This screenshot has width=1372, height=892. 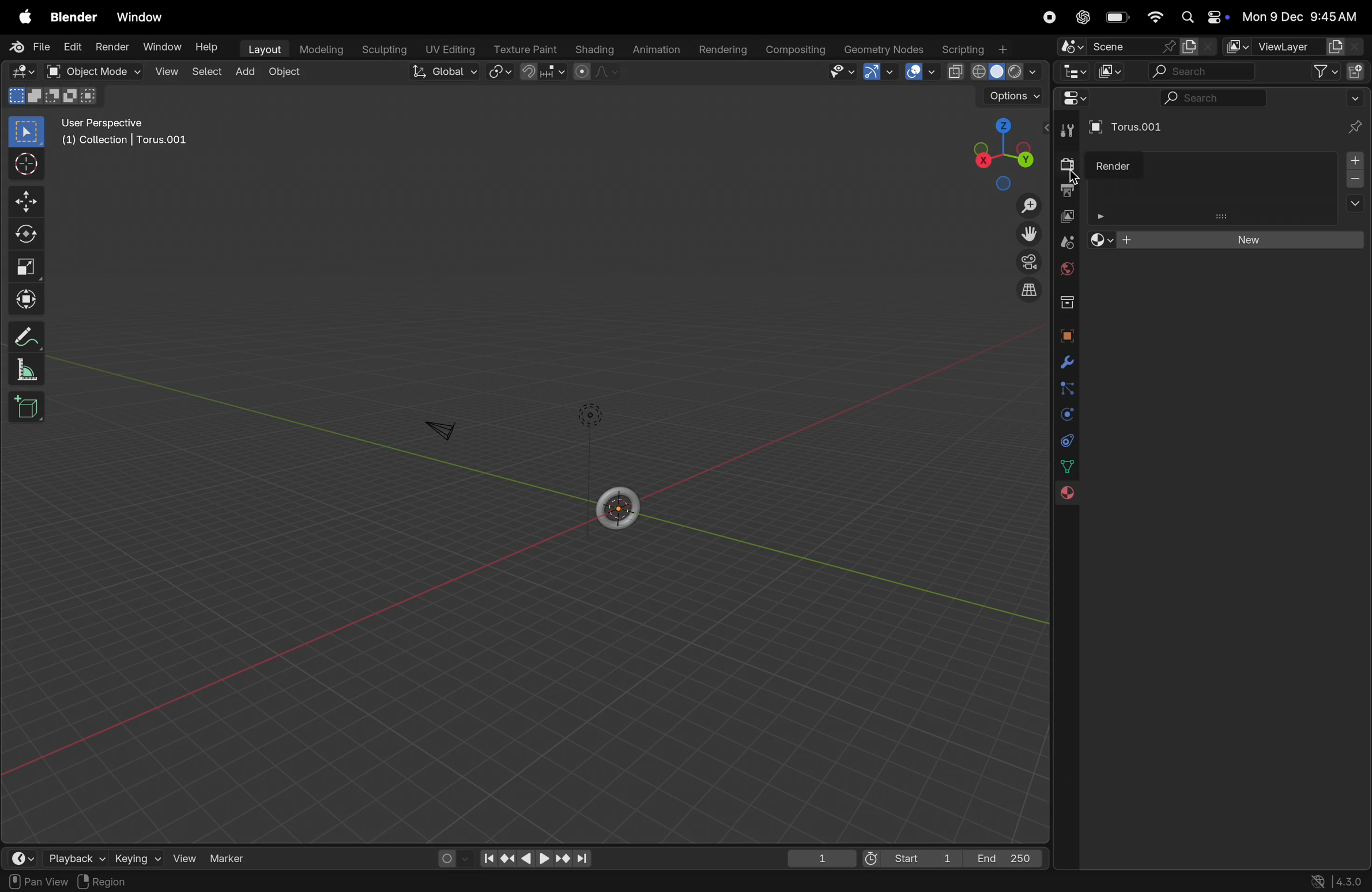 What do you see at coordinates (29, 235) in the screenshot?
I see `Rotate` at bounding box center [29, 235].